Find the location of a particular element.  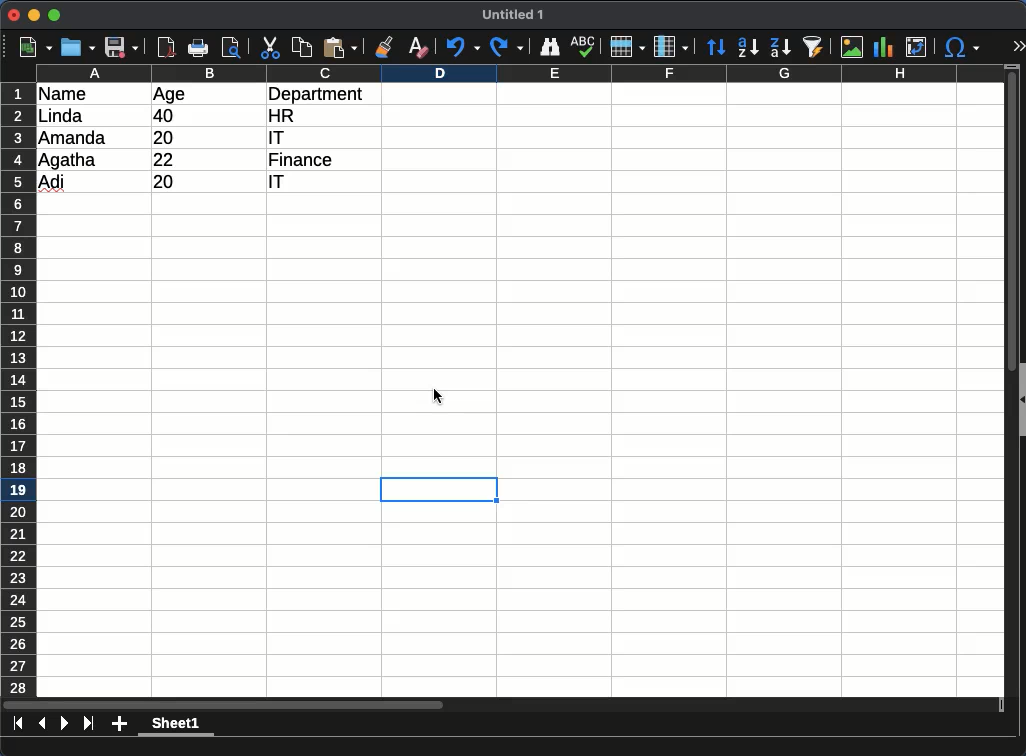

clear formatting is located at coordinates (418, 46).